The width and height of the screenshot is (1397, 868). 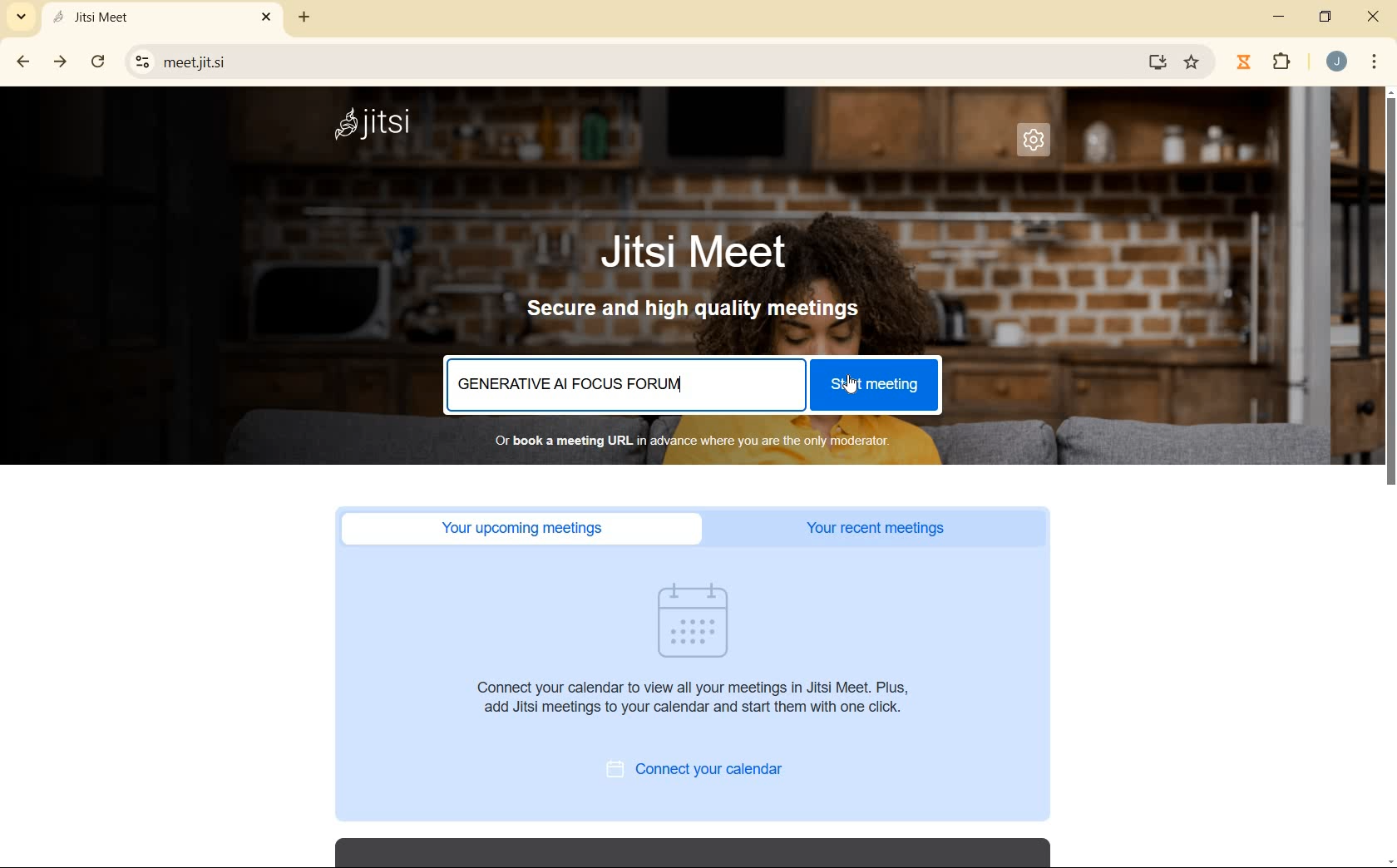 What do you see at coordinates (1246, 62) in the screenshot?
I see `Jibble` at bounding box center [1246, 62].